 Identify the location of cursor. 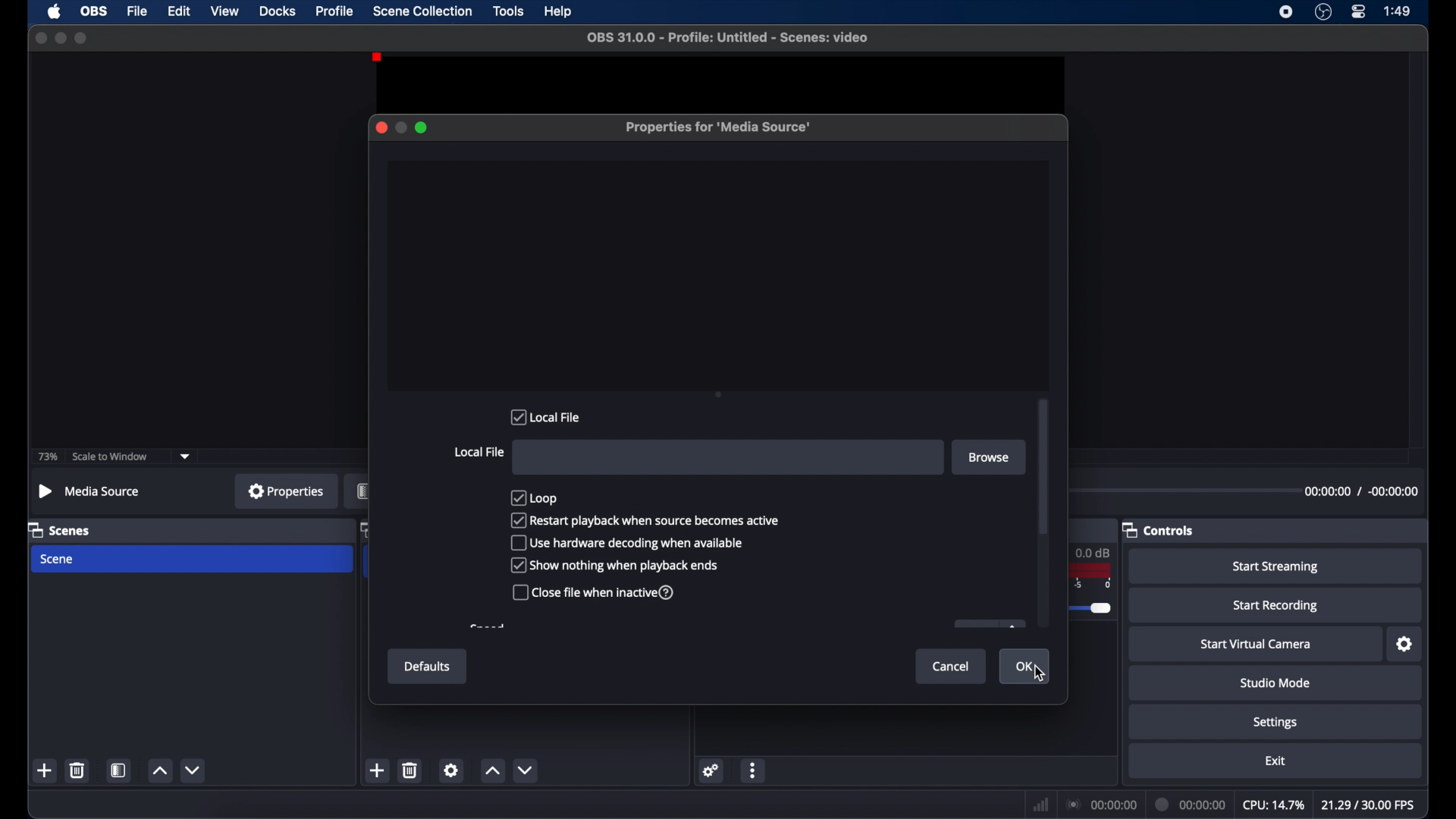
(1040, 674).